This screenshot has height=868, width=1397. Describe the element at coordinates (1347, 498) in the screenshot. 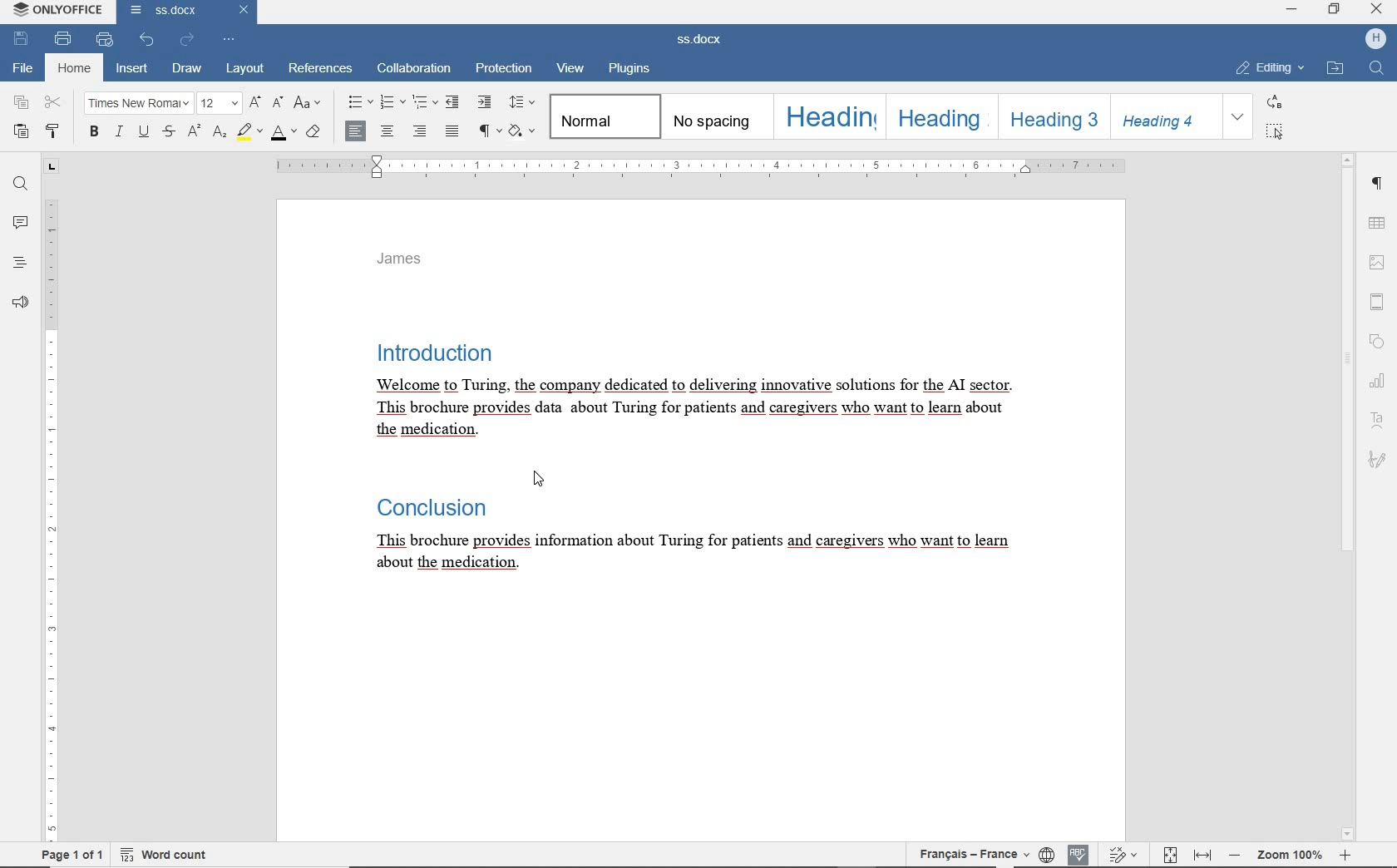

I see `SCROLLBAR` at that location.